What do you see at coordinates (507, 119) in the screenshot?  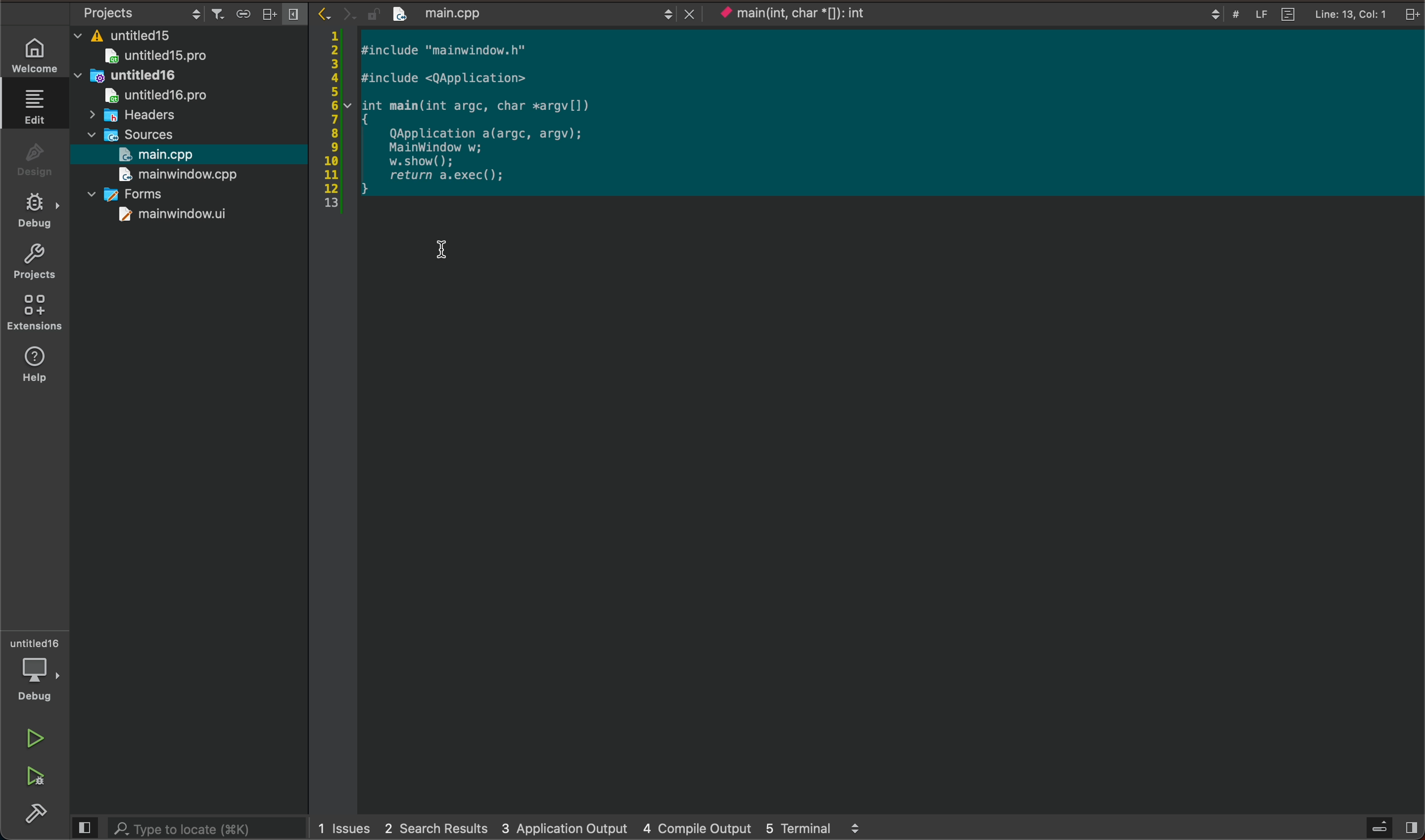 I see `file content` at bounding box center [507, 119].